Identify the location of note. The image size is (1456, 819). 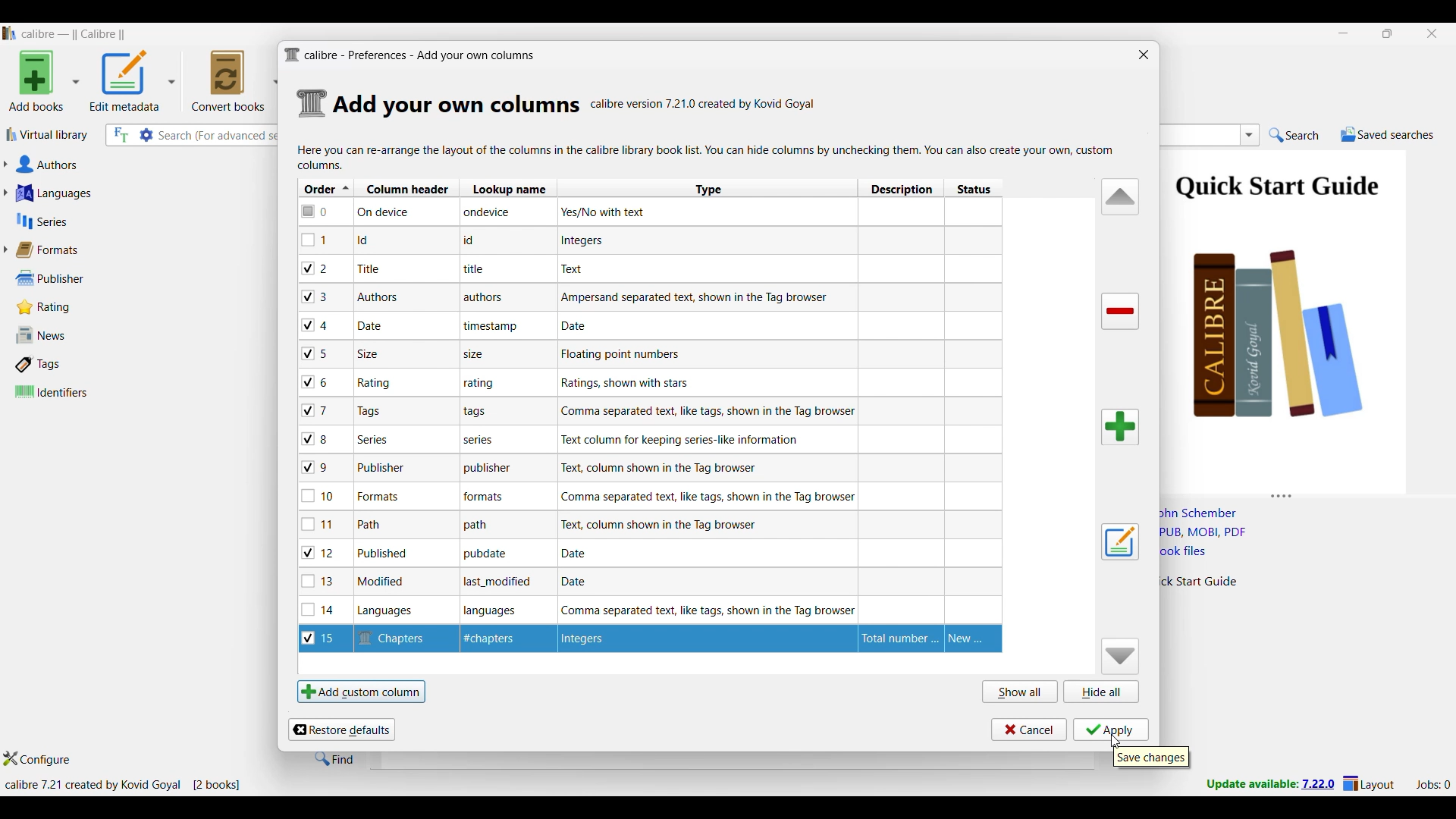
(480, 356).